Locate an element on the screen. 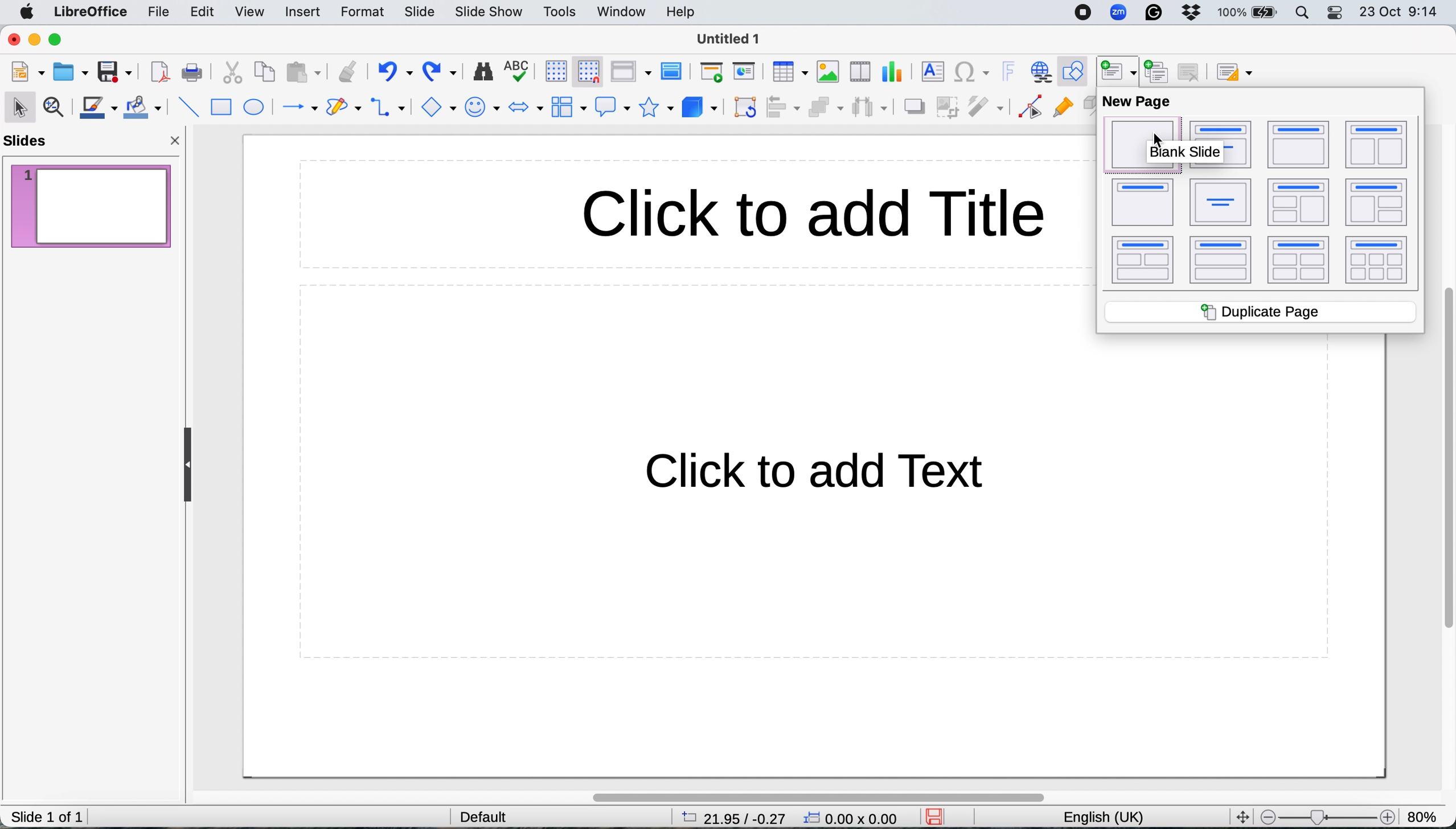 This screenshot has width=1456, height=829. control center is located at coordinates (1337, 14).